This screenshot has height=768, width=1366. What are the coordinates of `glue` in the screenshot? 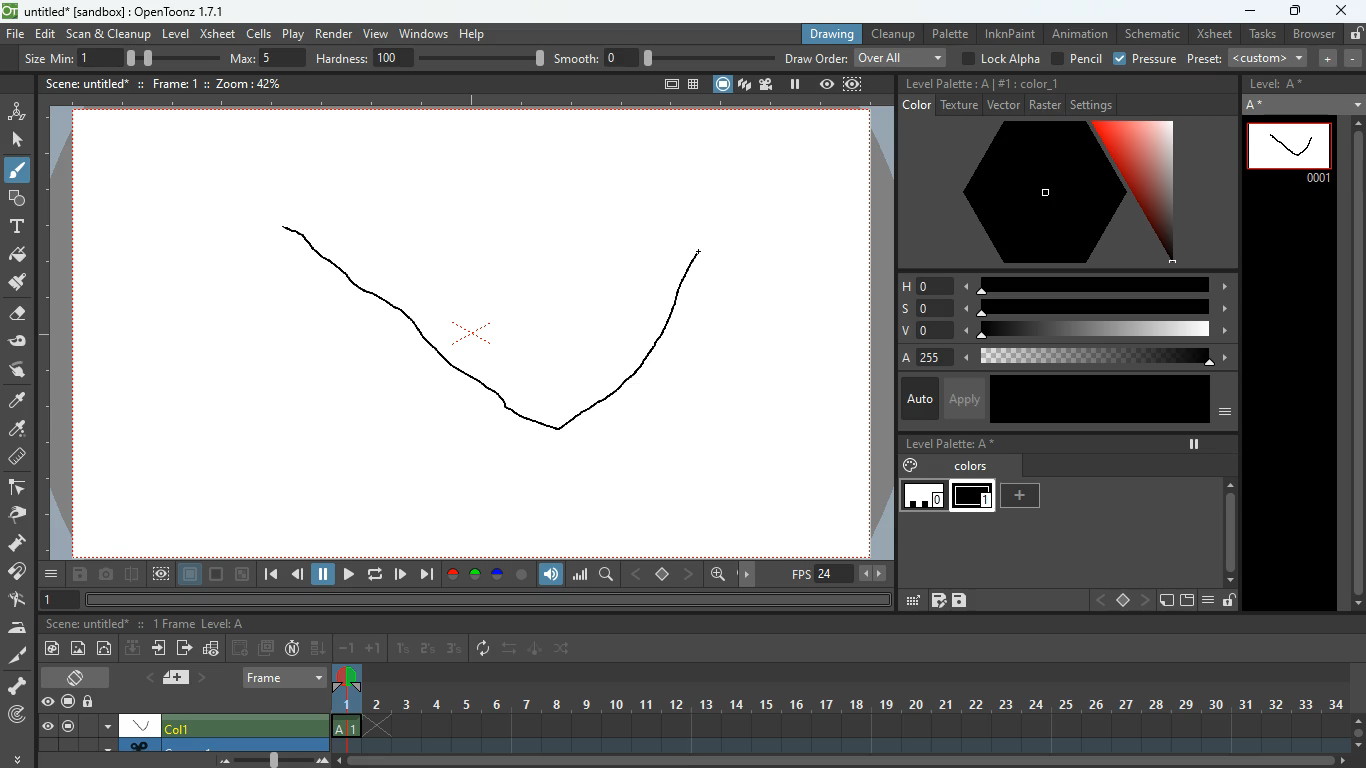 It's located at (18, 342).